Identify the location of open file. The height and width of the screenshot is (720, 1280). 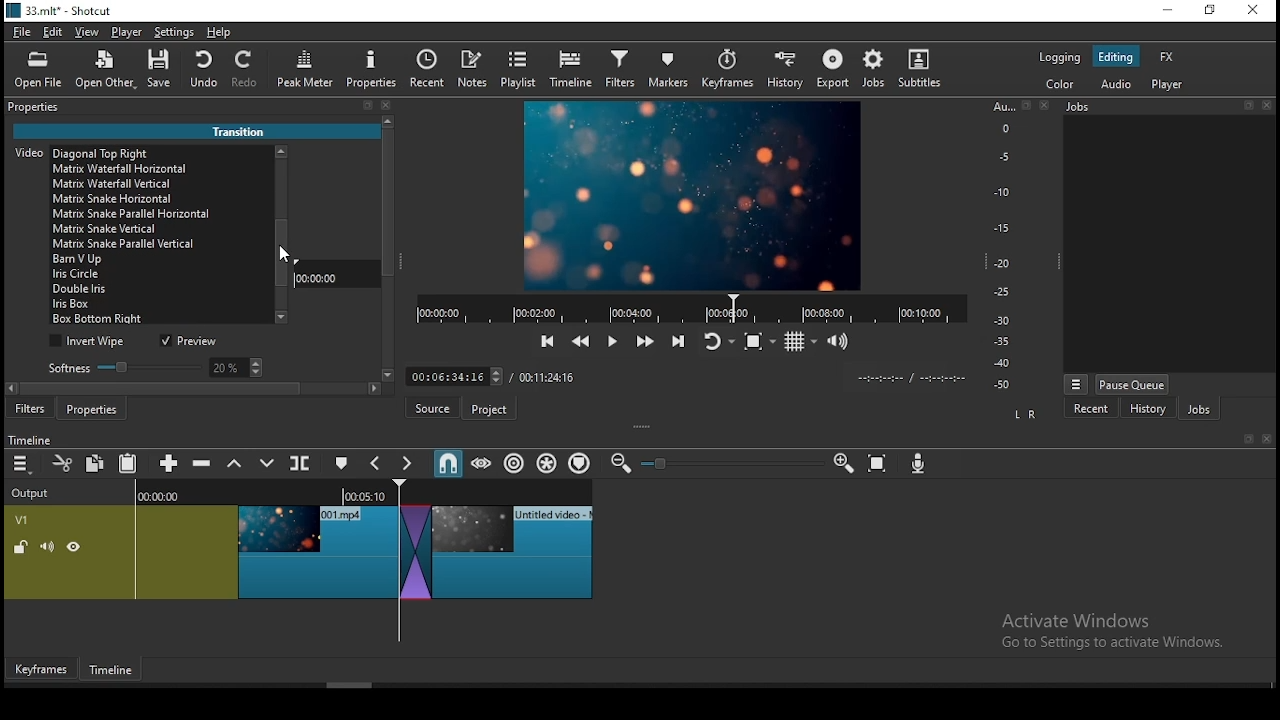
(43, 72).